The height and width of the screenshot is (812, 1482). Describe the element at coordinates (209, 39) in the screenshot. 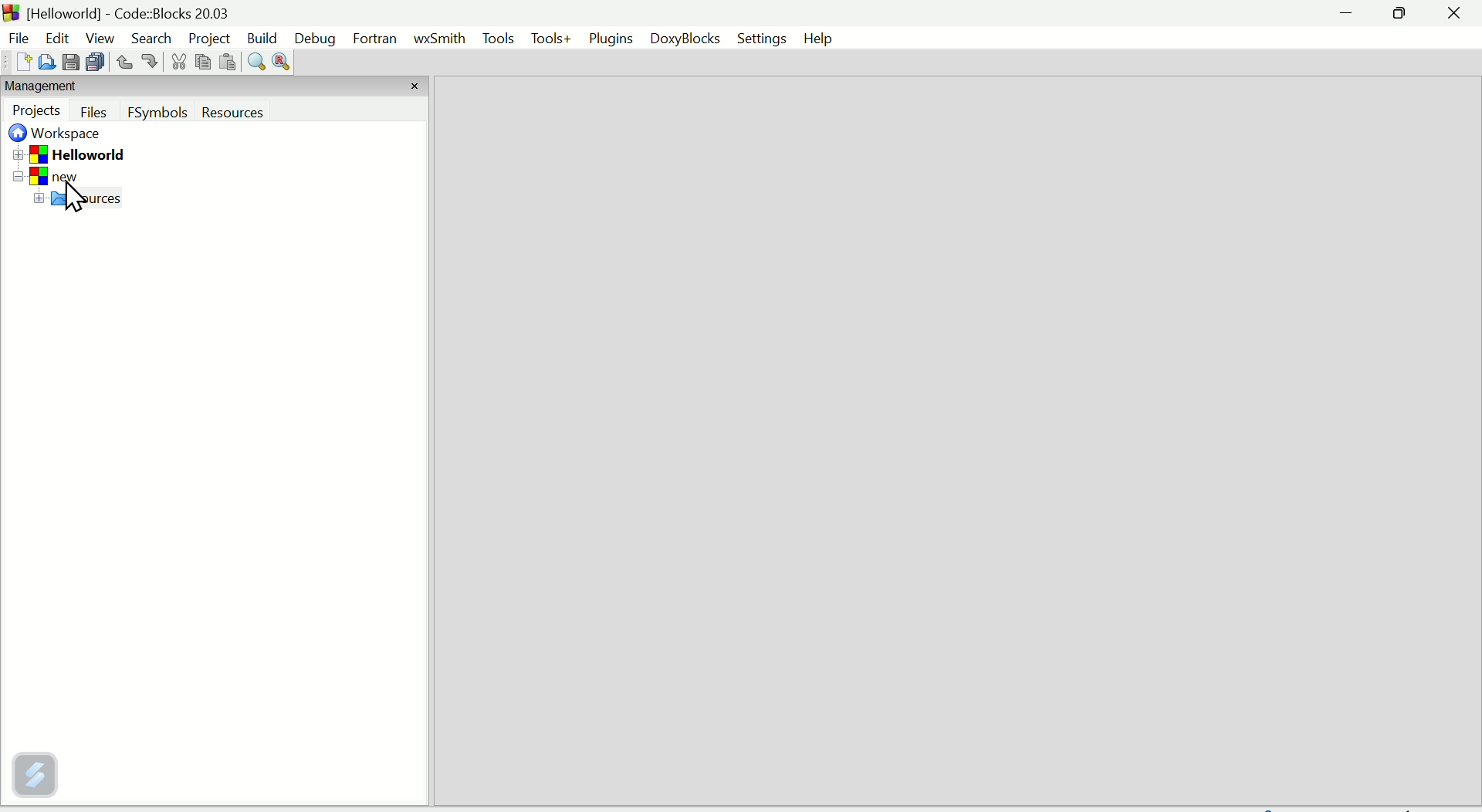

I see `Project` at that location.